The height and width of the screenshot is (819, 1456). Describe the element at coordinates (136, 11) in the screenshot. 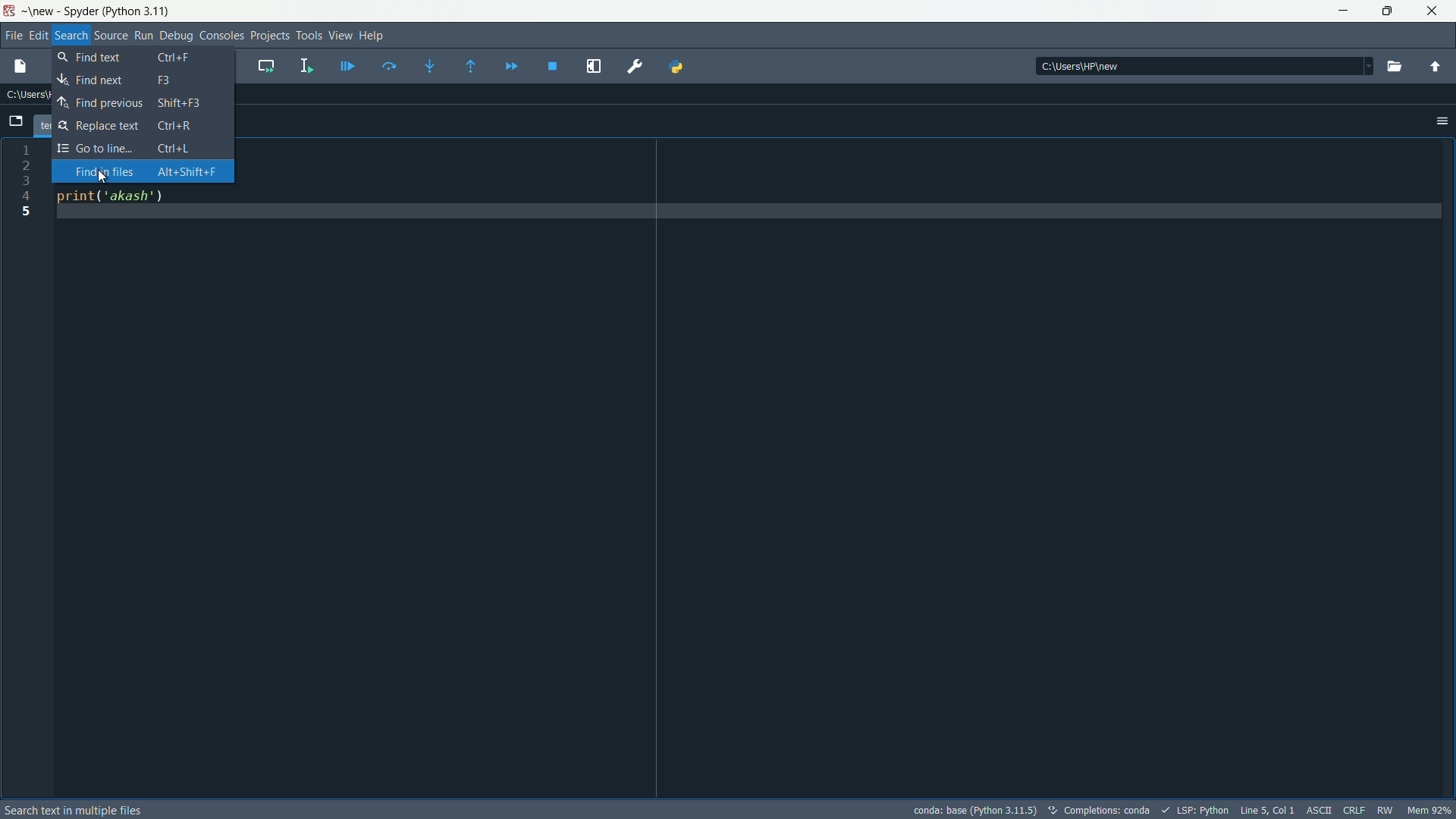

I see `python 3.11` at that location.